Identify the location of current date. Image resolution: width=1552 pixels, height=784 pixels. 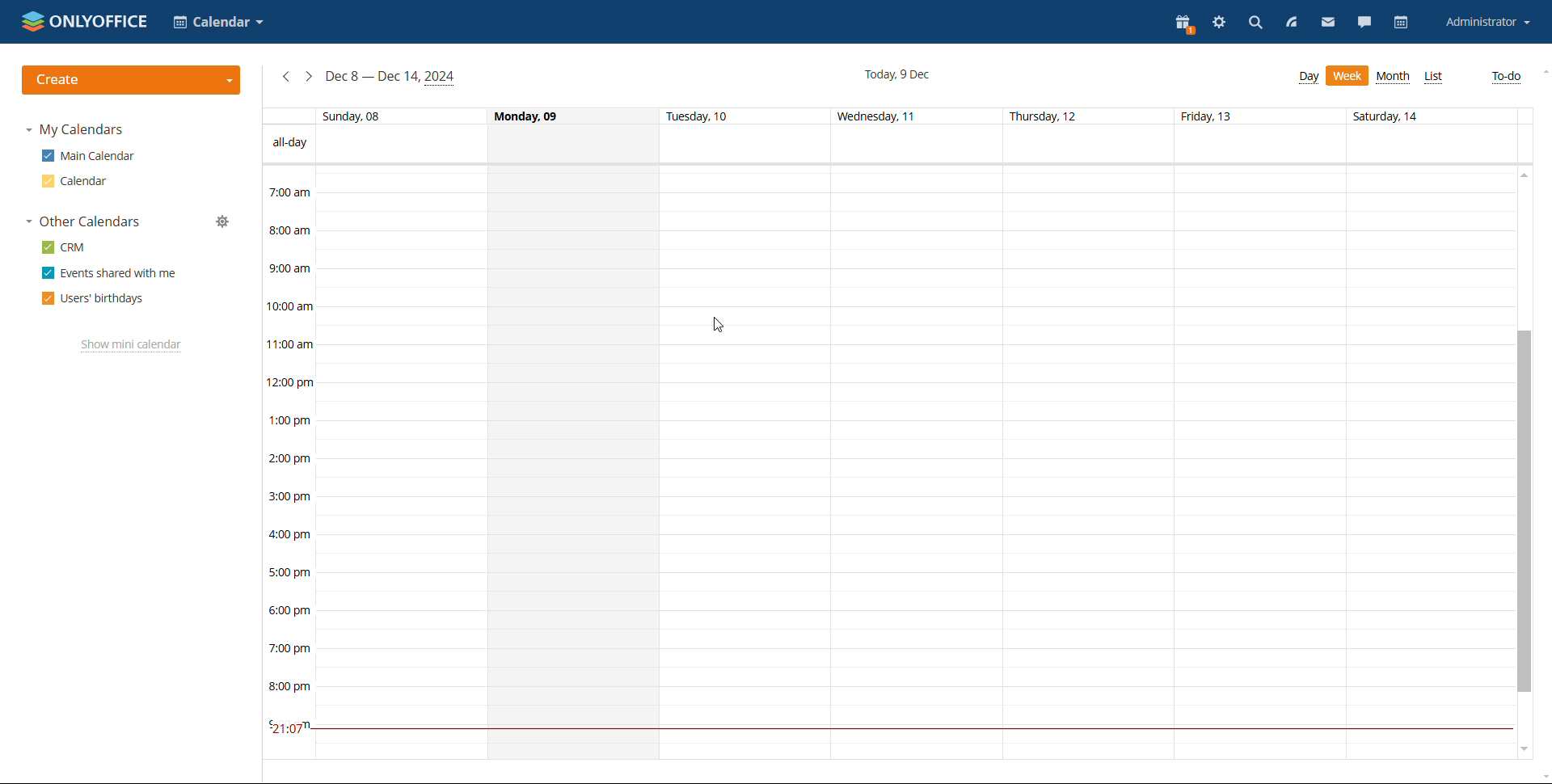
(900, 74).